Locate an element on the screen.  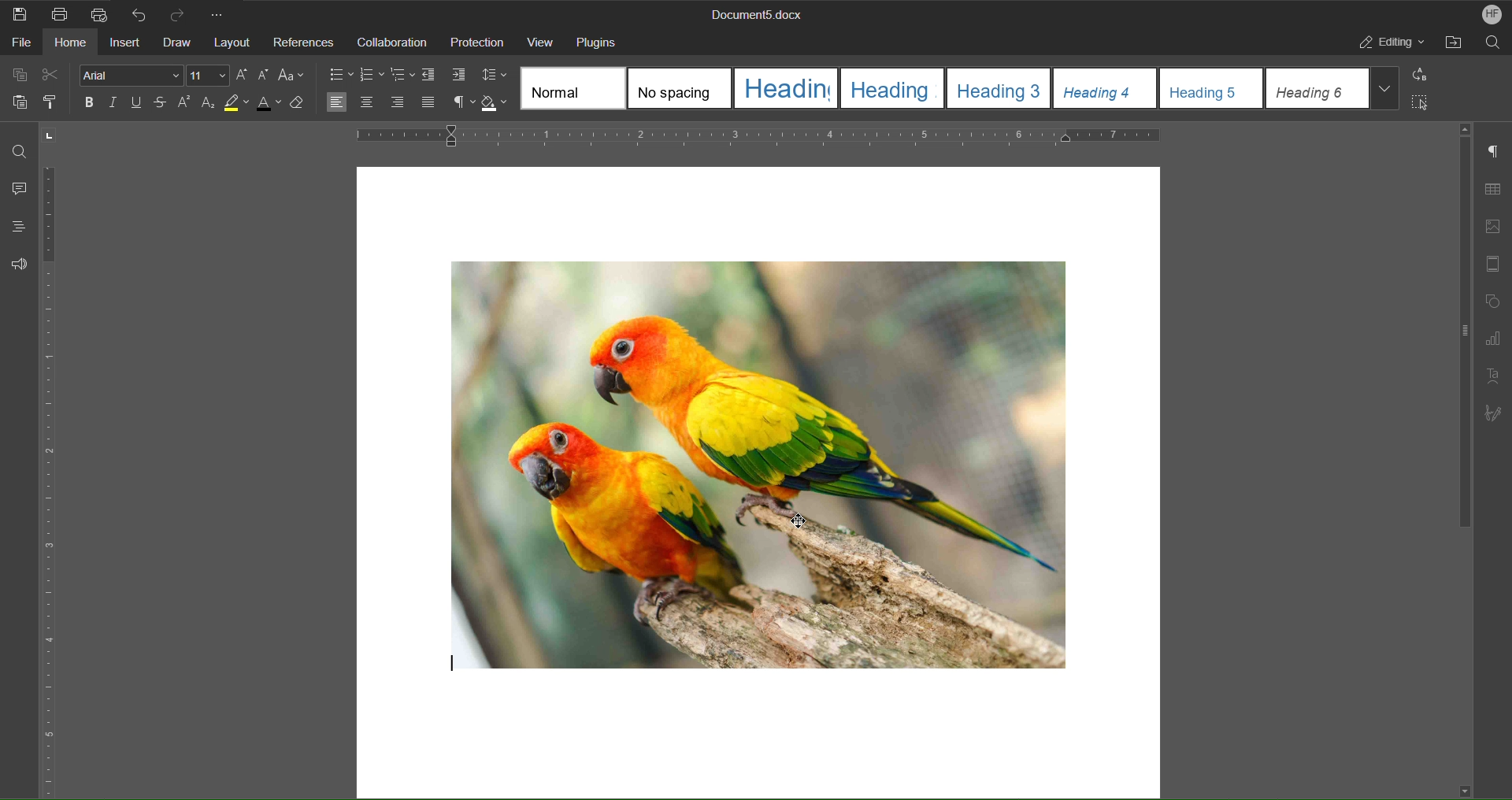
Font is located at coordinates (127, 75).